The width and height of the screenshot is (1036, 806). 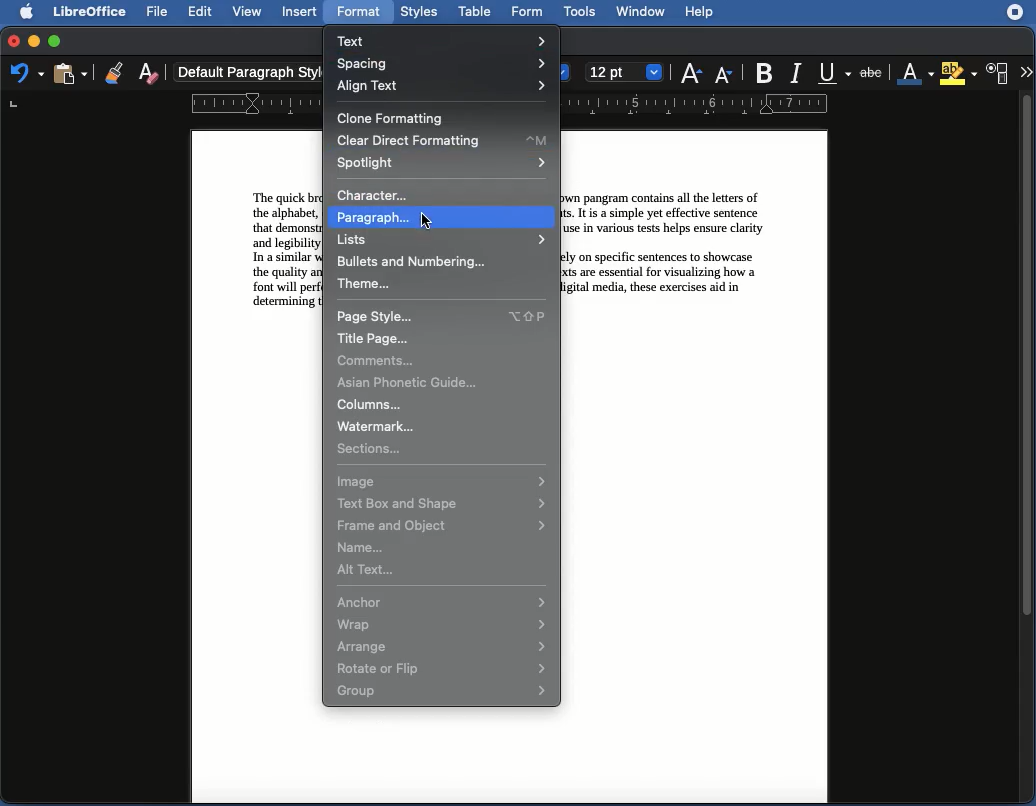 What do you see at coordinates (387, 362) in the screenshot?
I see `Comments` at bounding box center [387, 362].